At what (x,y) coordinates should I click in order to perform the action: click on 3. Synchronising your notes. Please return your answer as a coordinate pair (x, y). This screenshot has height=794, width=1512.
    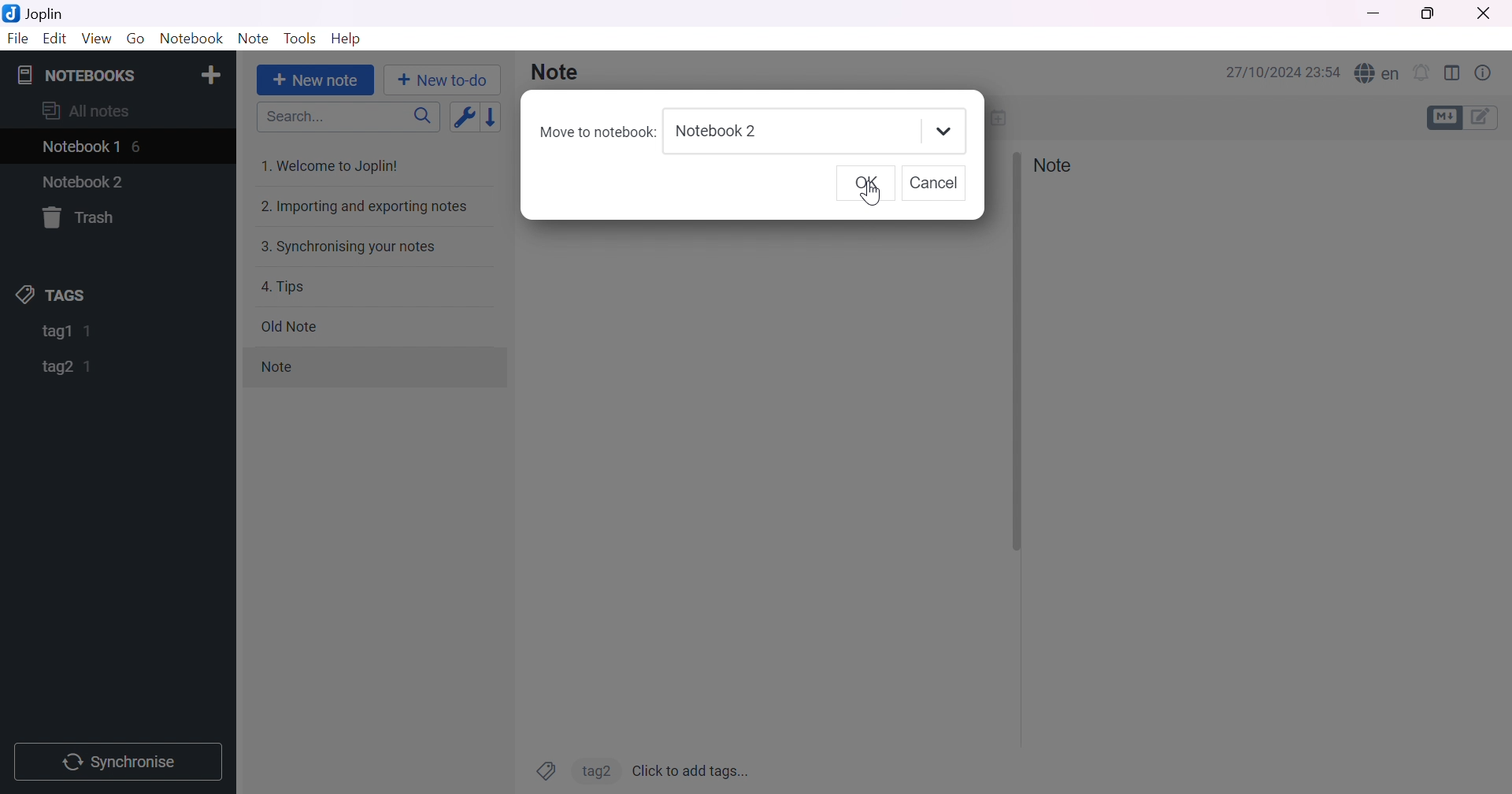
    Looking at the image, I should click on (346, 248).